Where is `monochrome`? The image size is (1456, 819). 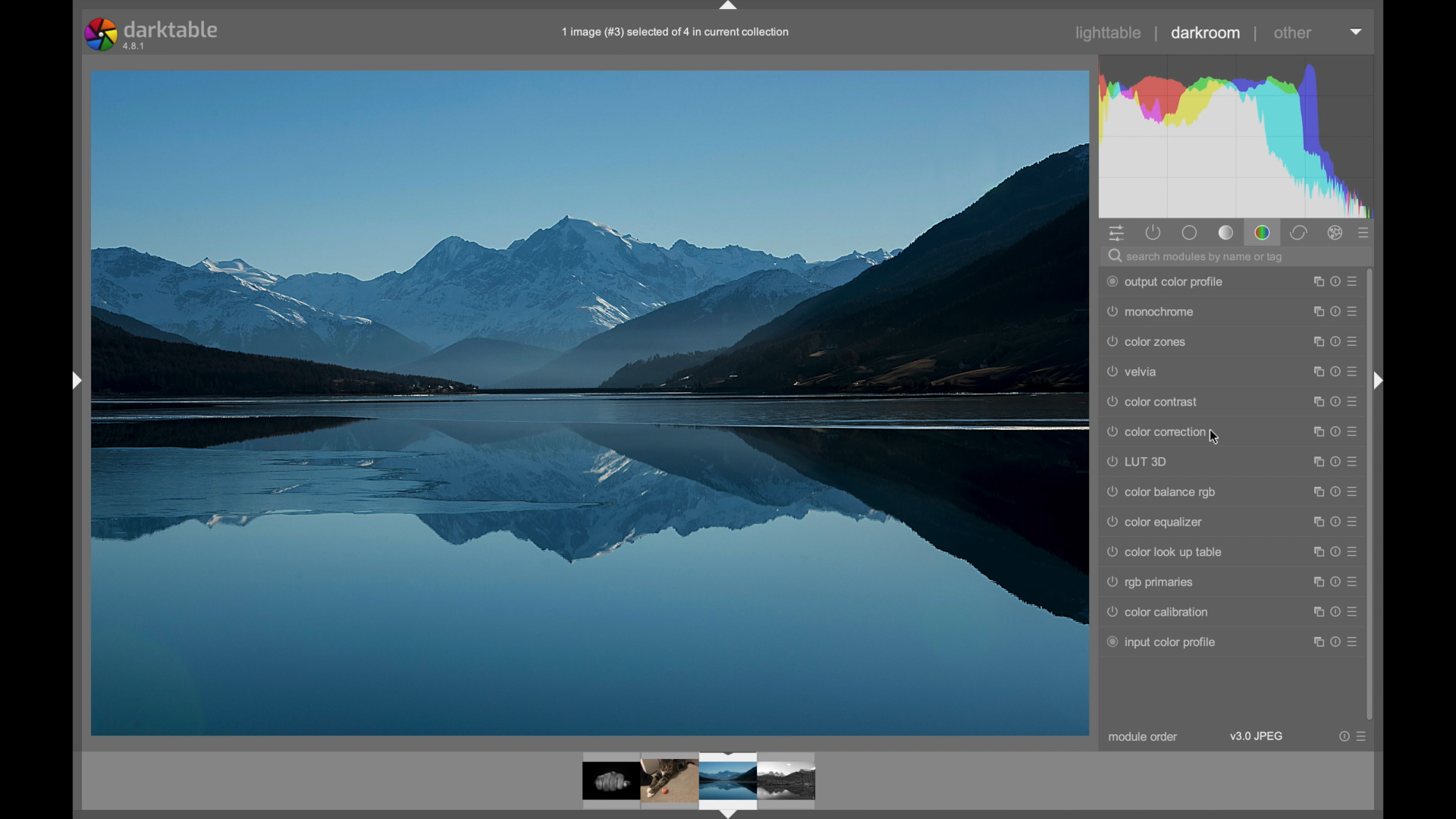
monochrome is located at coordinates (1151, 312).